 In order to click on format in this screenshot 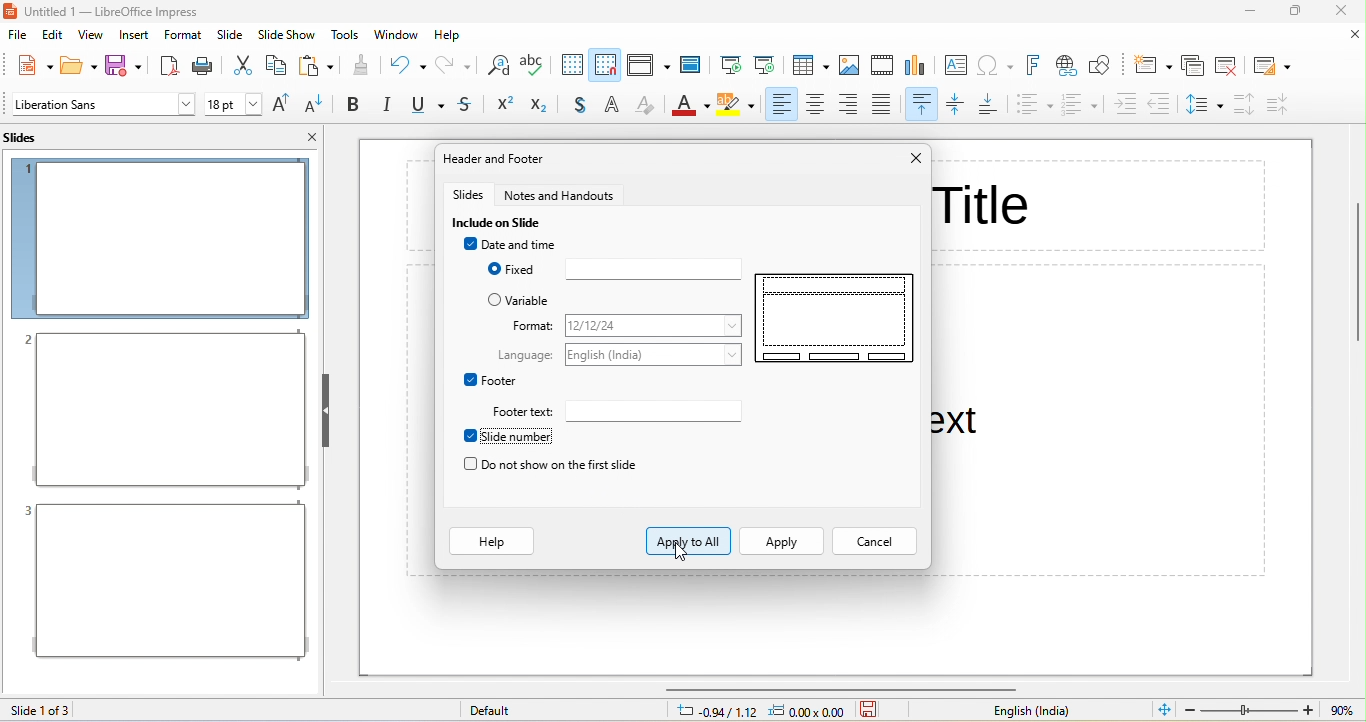, I will do `click(183, 34)`.